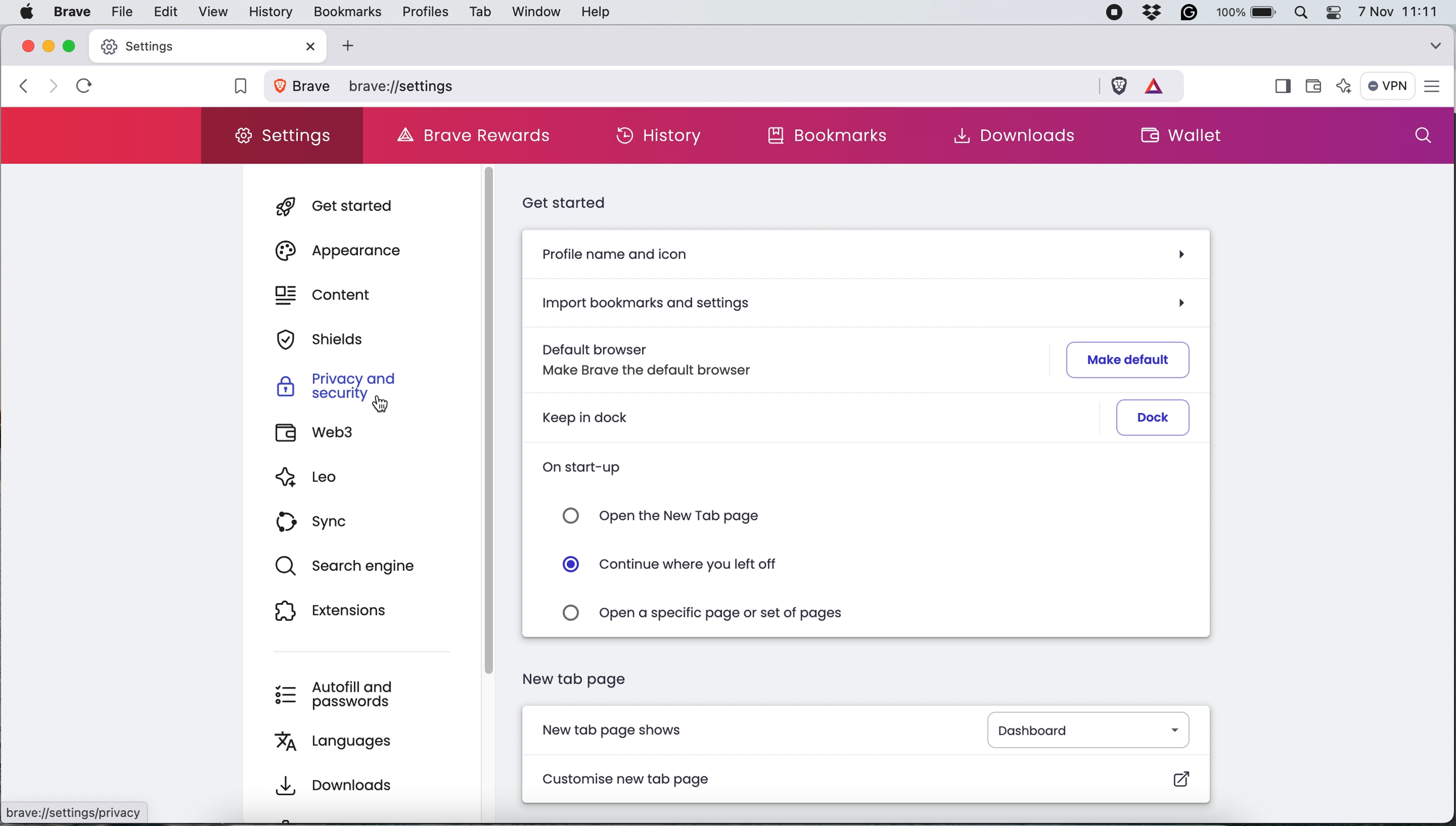  I want to click on get started, so click(351, 205).